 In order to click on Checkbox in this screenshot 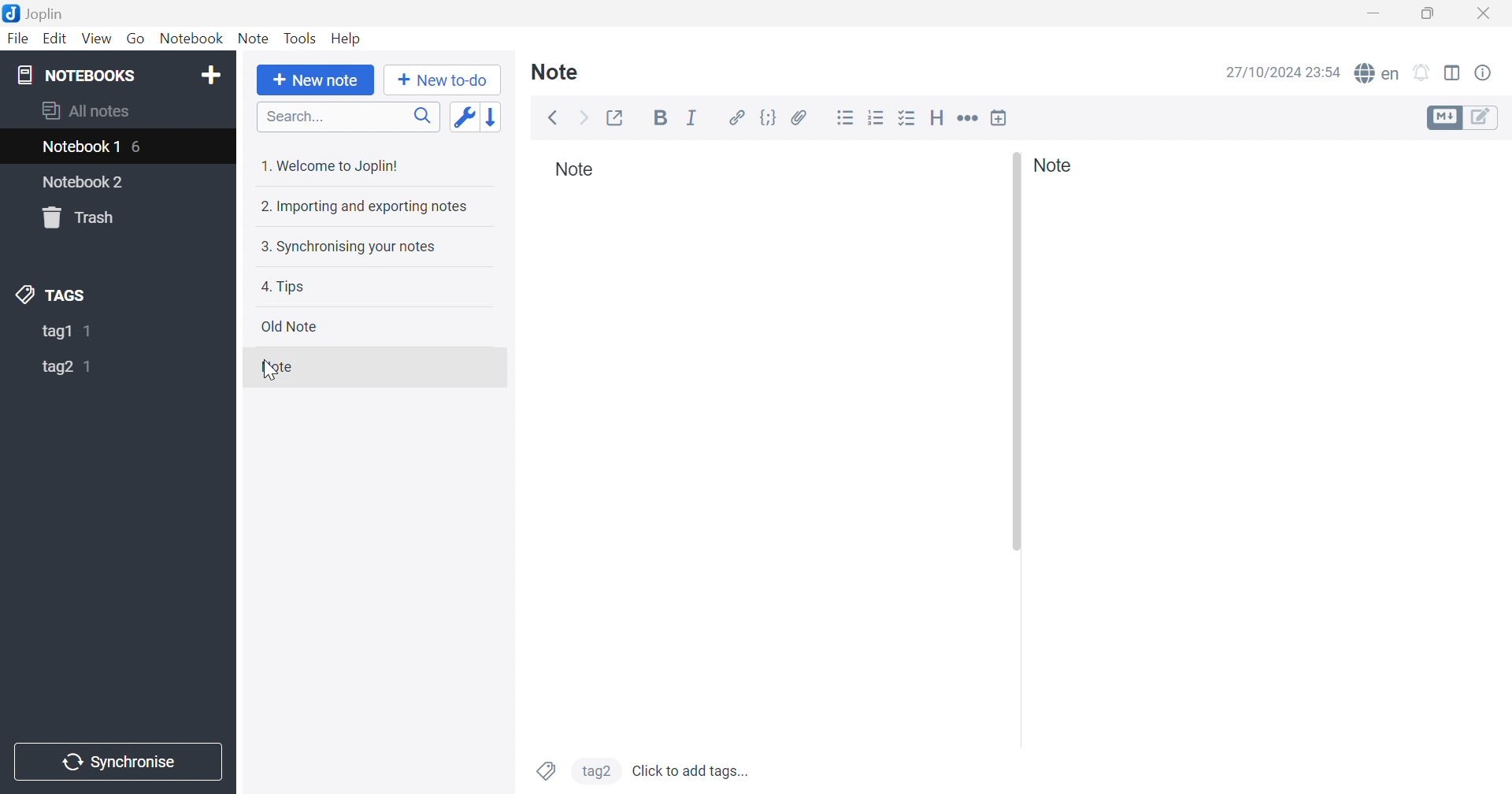, I will do `click(909, 117)`.